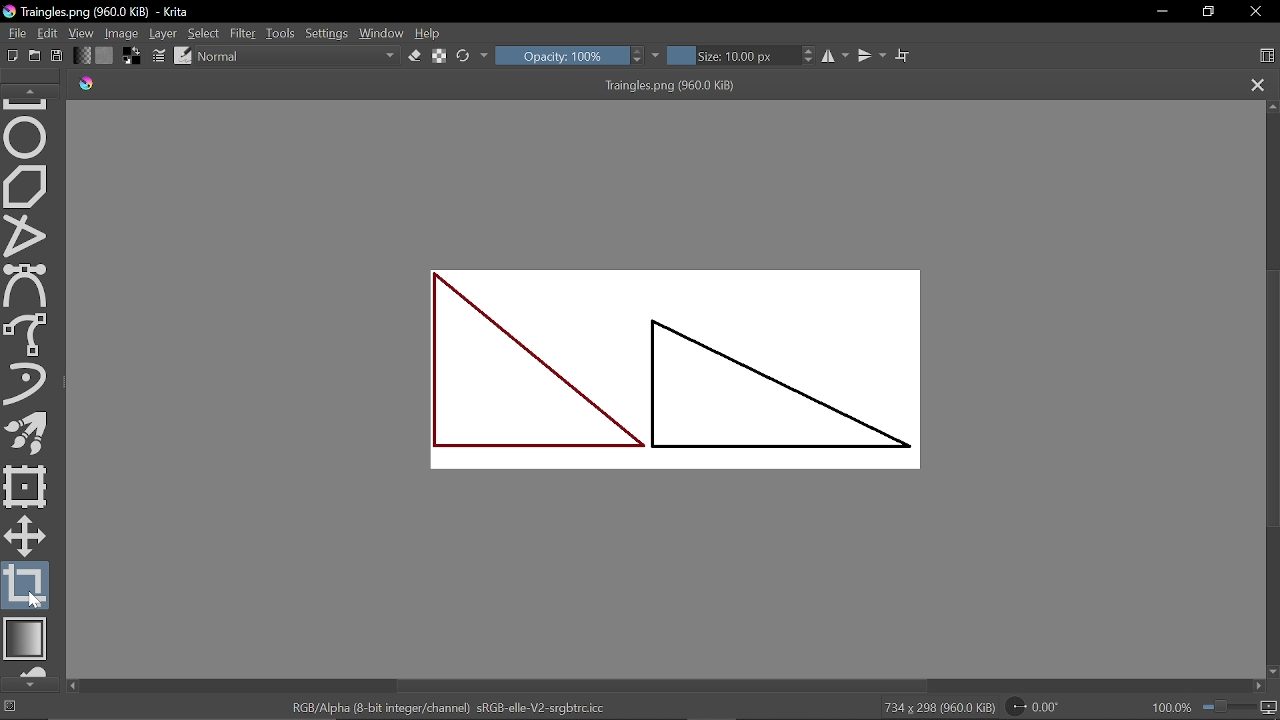  Describe the element at coordinates (903, 55) in the screenshot. I see `Wrap text tool` at that location.